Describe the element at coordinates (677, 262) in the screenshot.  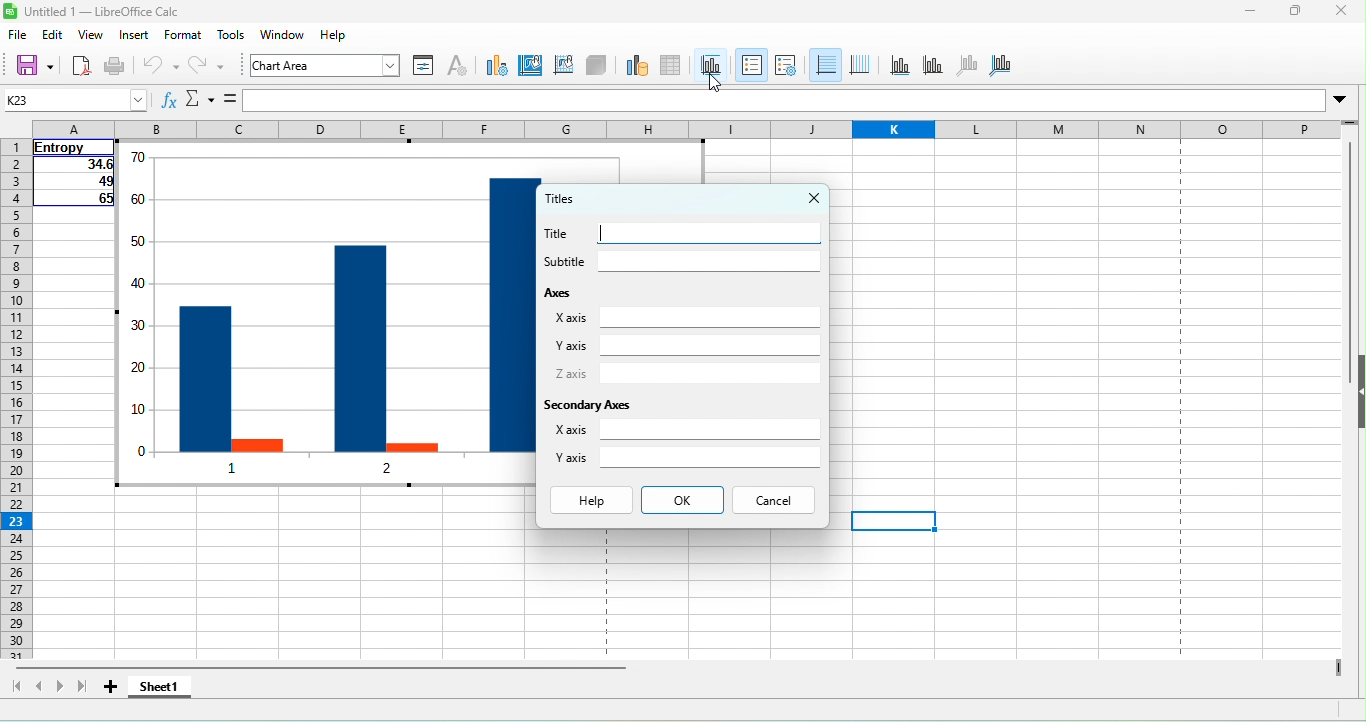
I see `subtitle` at that location.